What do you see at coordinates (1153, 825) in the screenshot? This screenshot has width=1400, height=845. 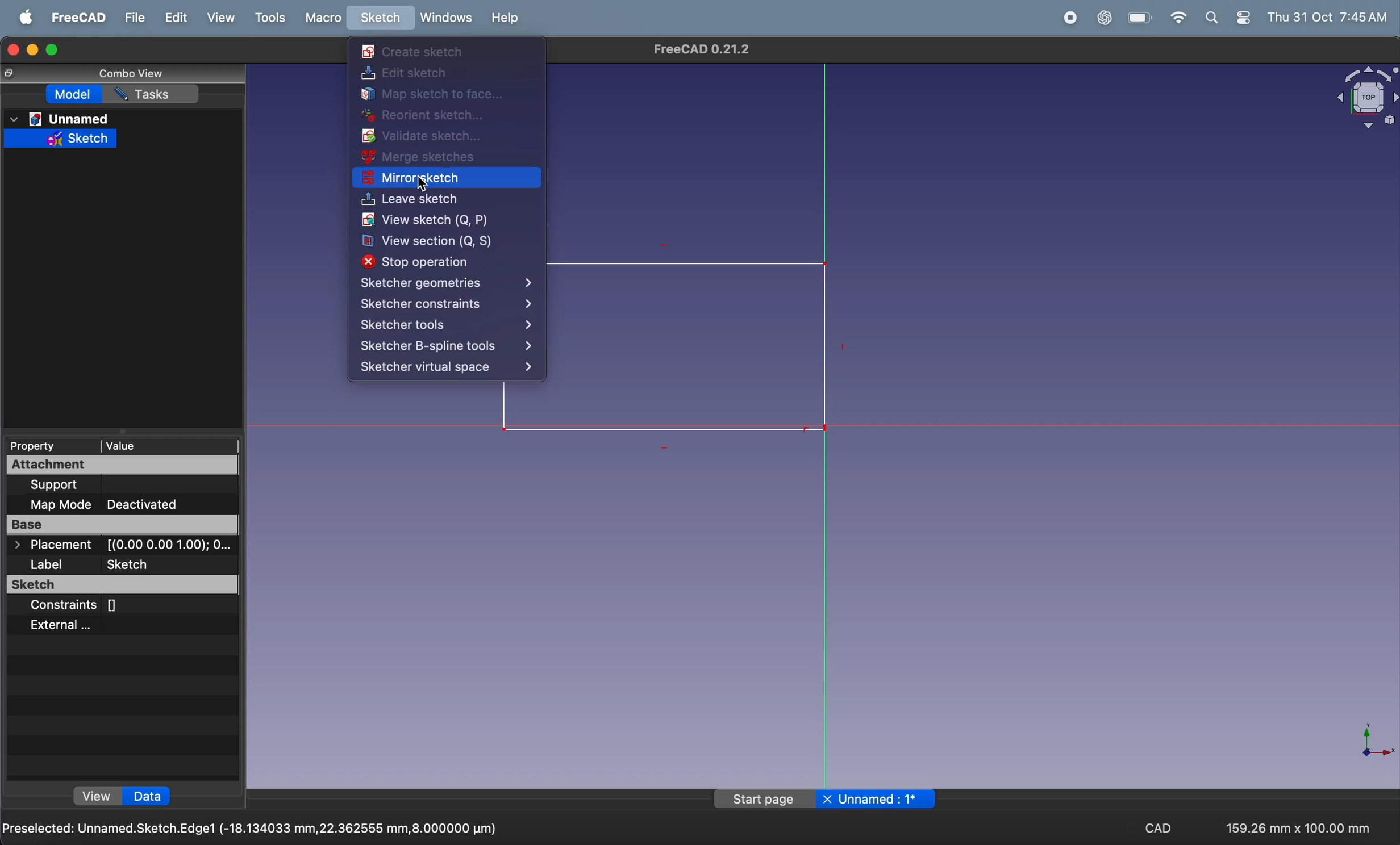 I see `cad` at bounding box center [1153, 825].